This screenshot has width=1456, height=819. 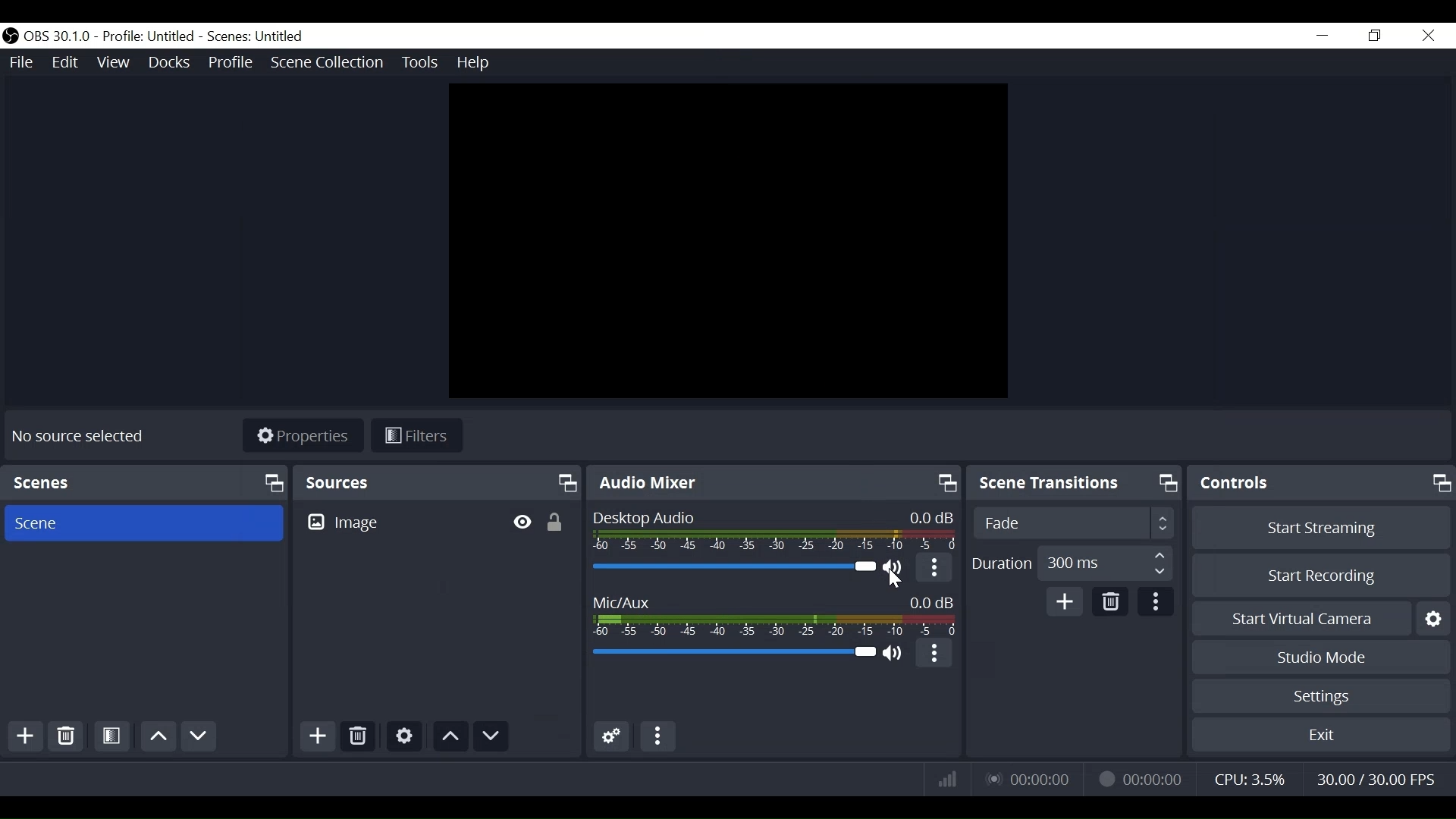 What do you see at coordinates (1320, 695) in the screenshot?
I see `Settings` at bounding box center [1320, 695].